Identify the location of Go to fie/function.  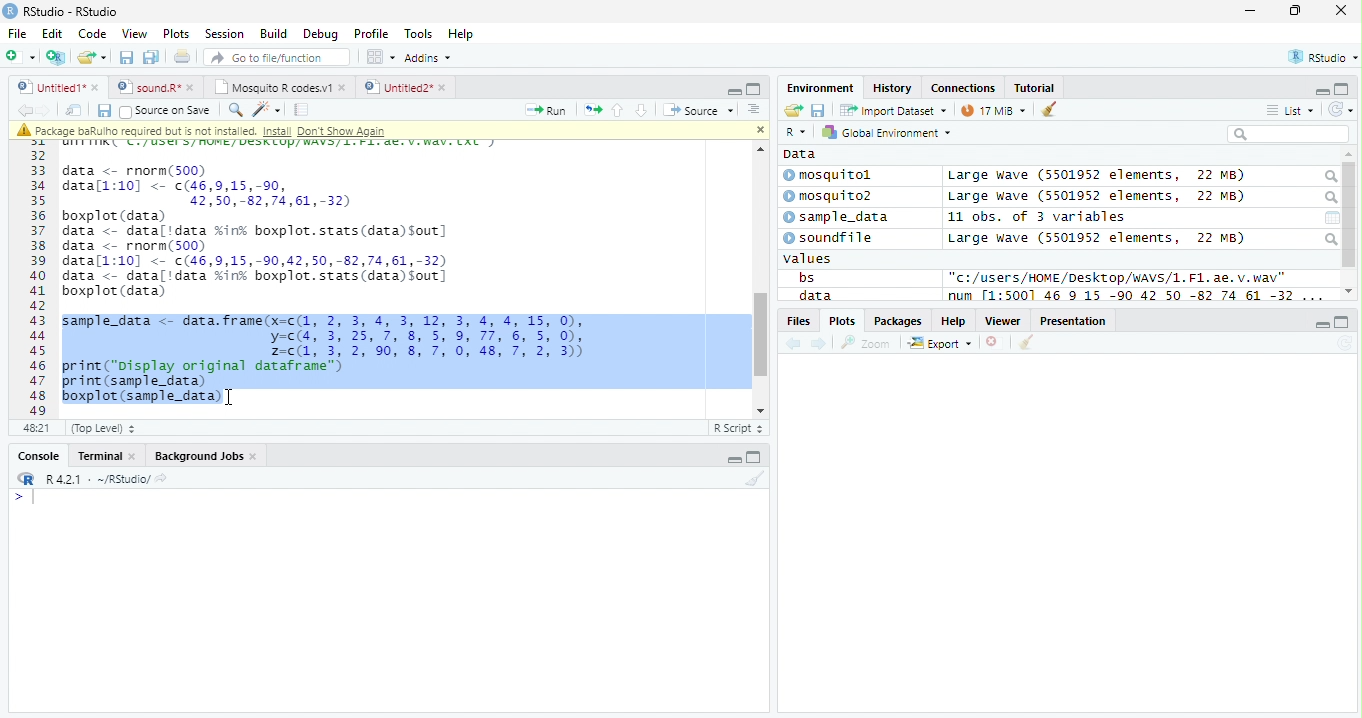
(277, 57).